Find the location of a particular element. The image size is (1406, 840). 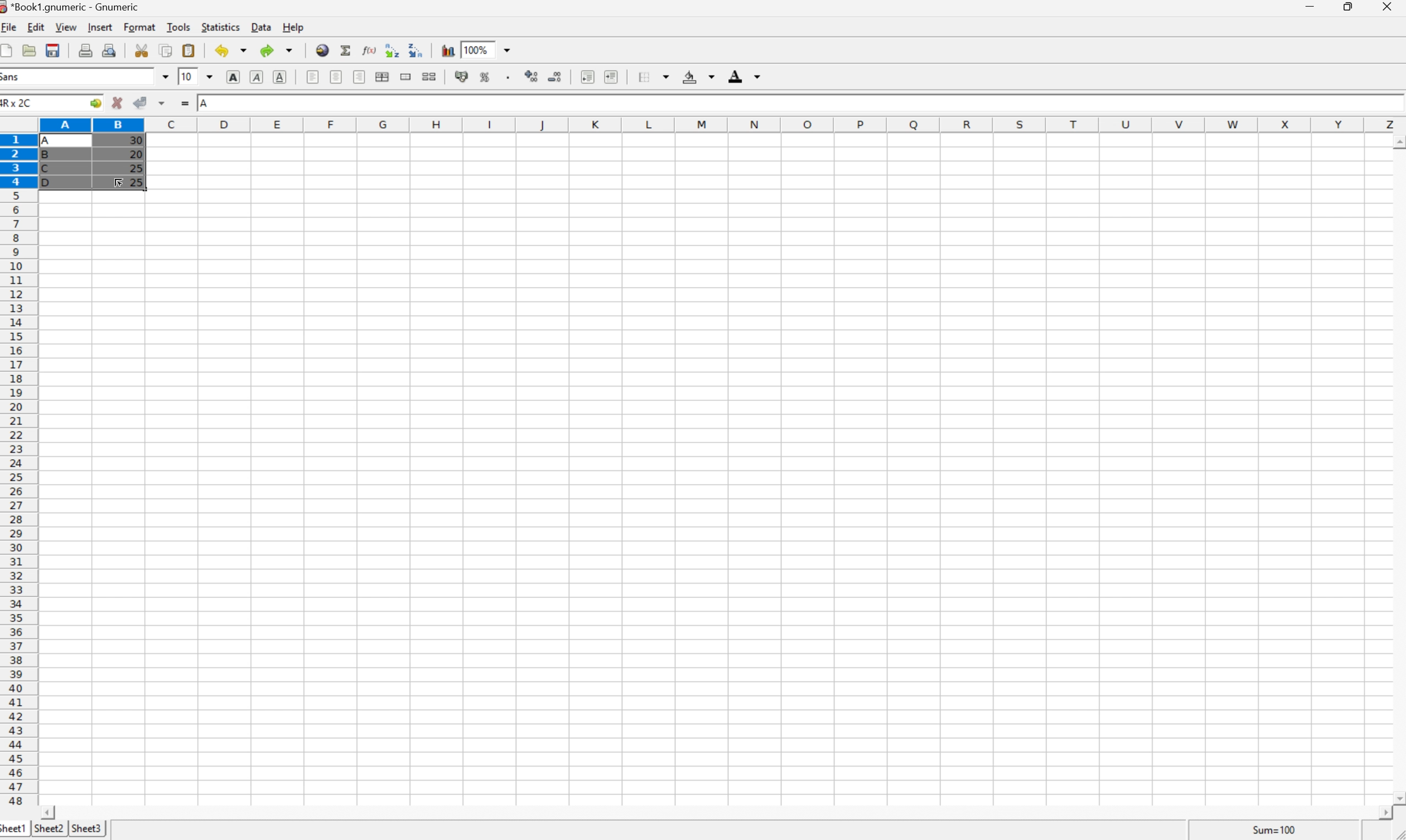

Accept changes in multiple cells is located at coordinates (163, 101).